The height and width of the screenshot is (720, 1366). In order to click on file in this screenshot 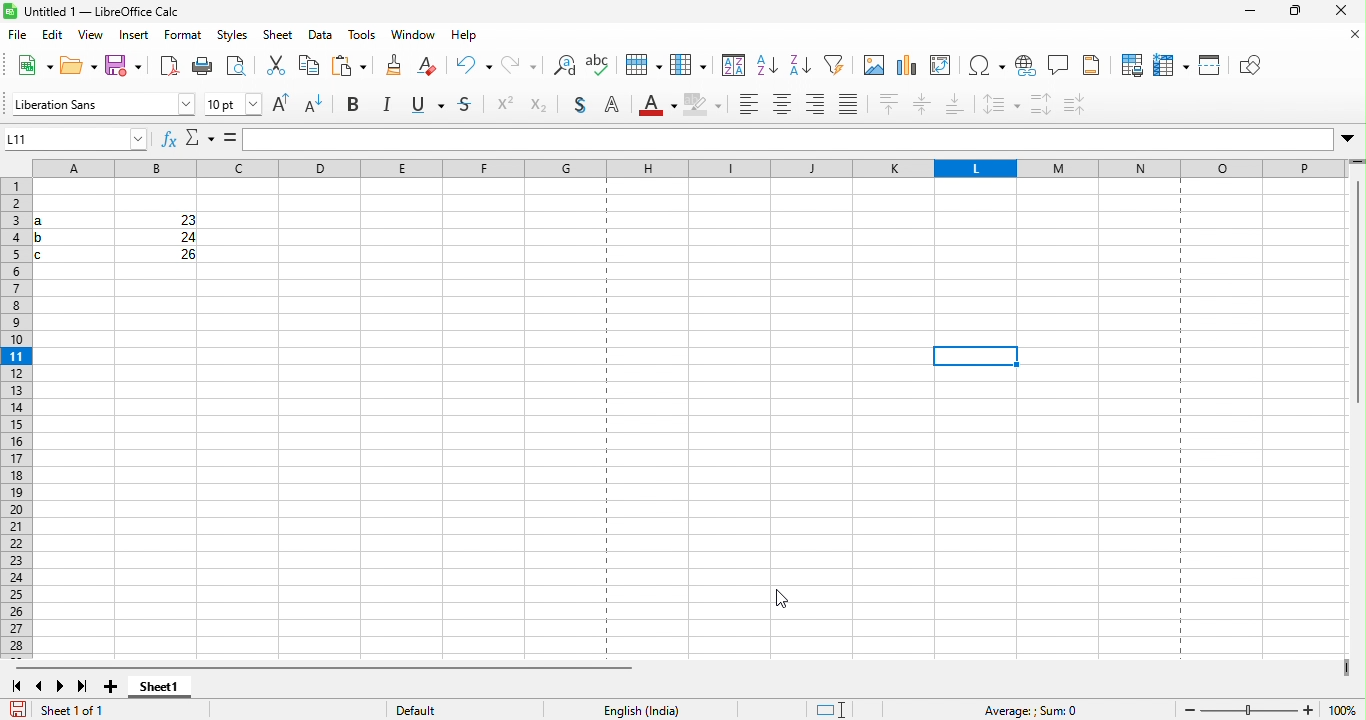, I will do `click(18, 36)`.